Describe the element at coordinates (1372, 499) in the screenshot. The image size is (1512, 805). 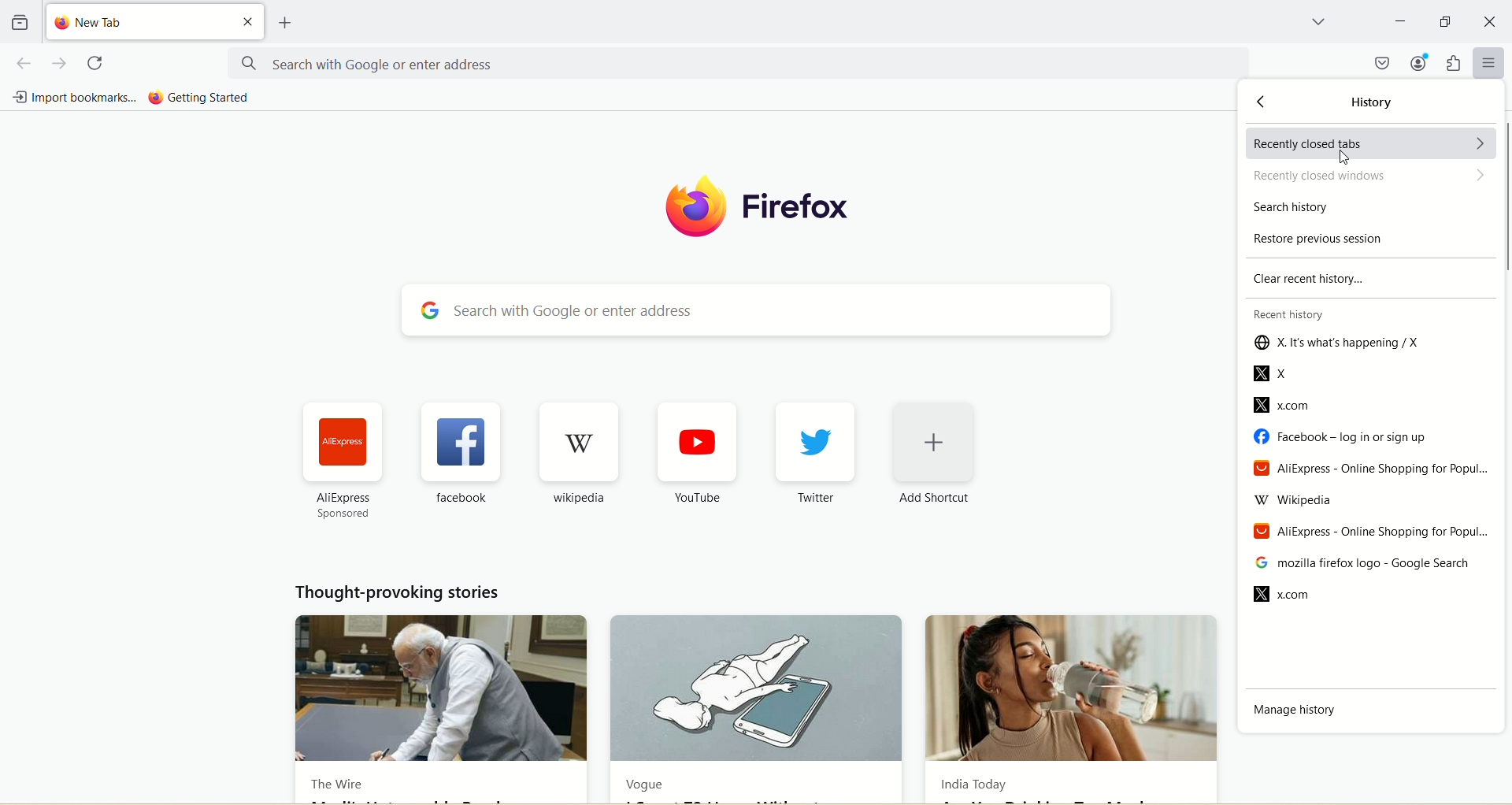
I see `wikipedia` at that location.